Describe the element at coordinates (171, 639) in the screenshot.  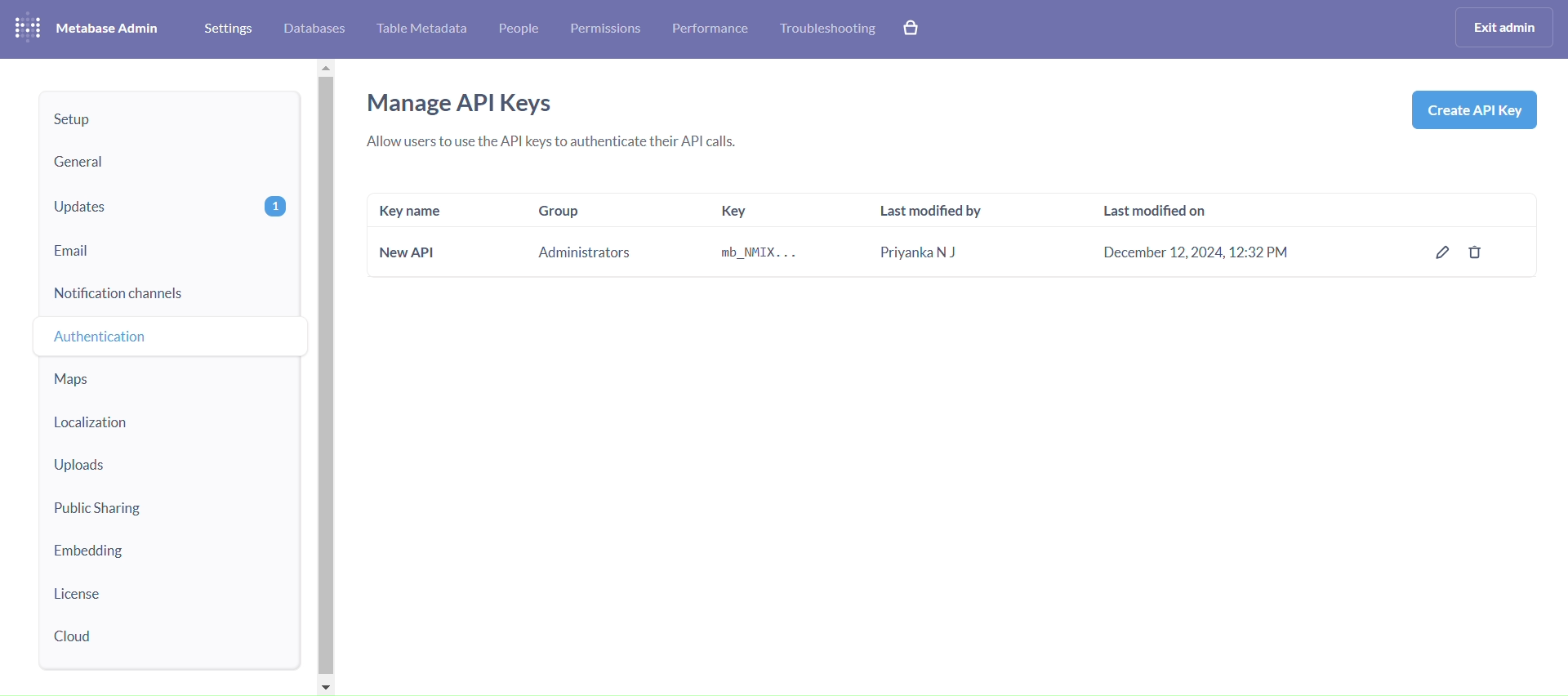
I see `cloud` at that location.